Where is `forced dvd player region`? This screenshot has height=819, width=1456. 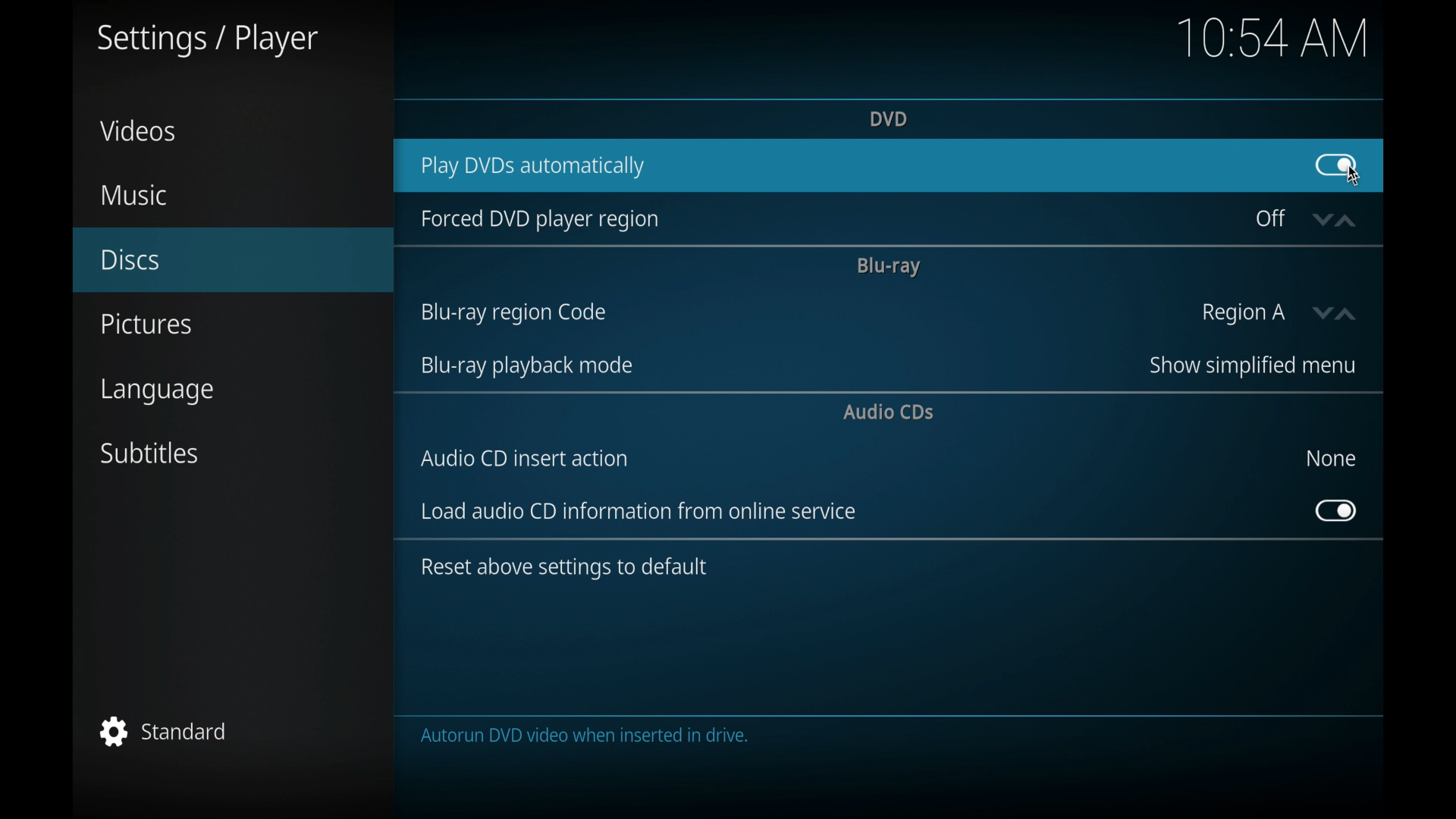 forced dvd player region is located at coordinates (538, 219).